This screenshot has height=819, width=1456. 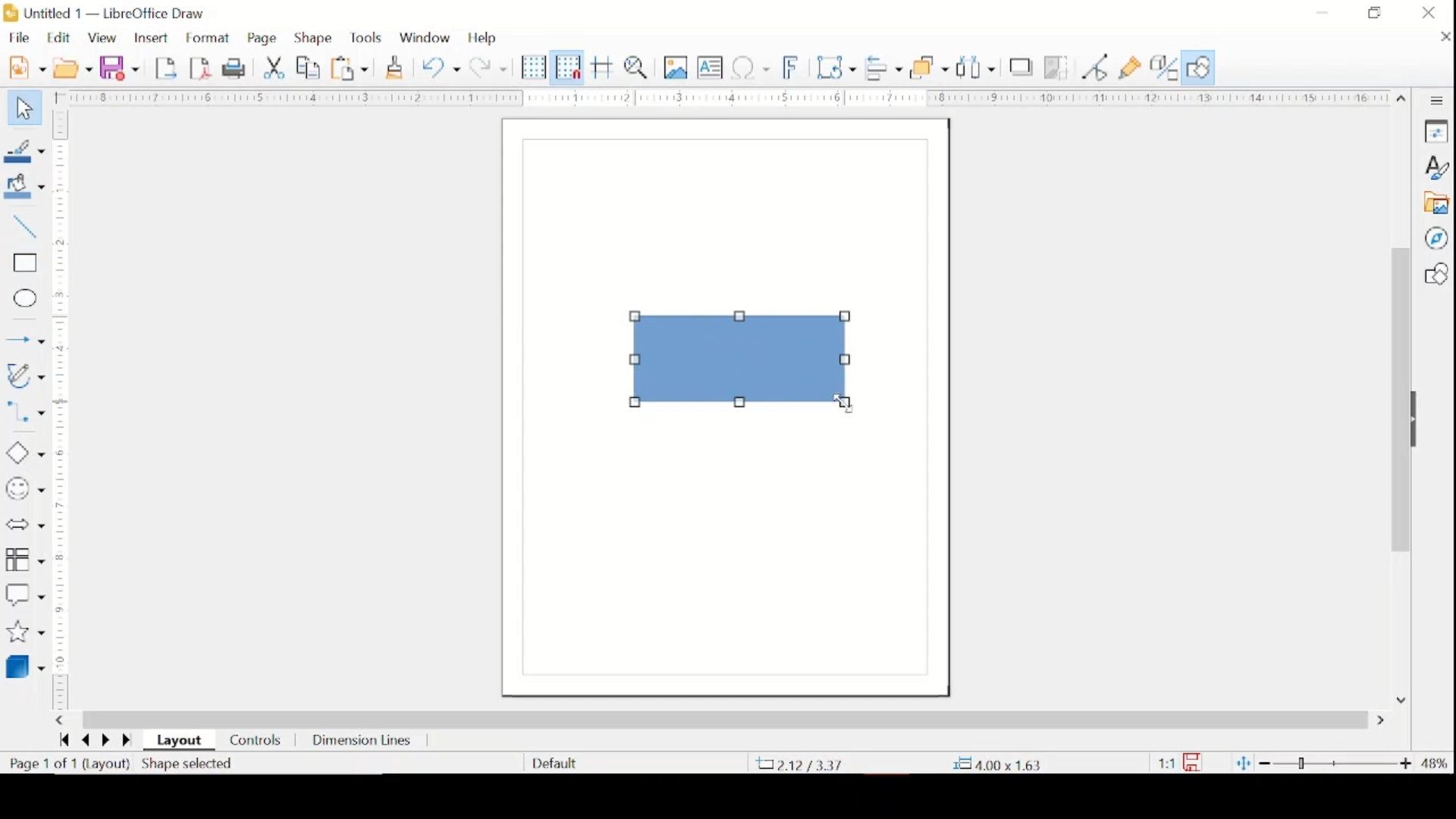 What do you see at coordinates (1337, 763) in the screenshot?
I see `zoom slider` at bounding box center [1337, 763].